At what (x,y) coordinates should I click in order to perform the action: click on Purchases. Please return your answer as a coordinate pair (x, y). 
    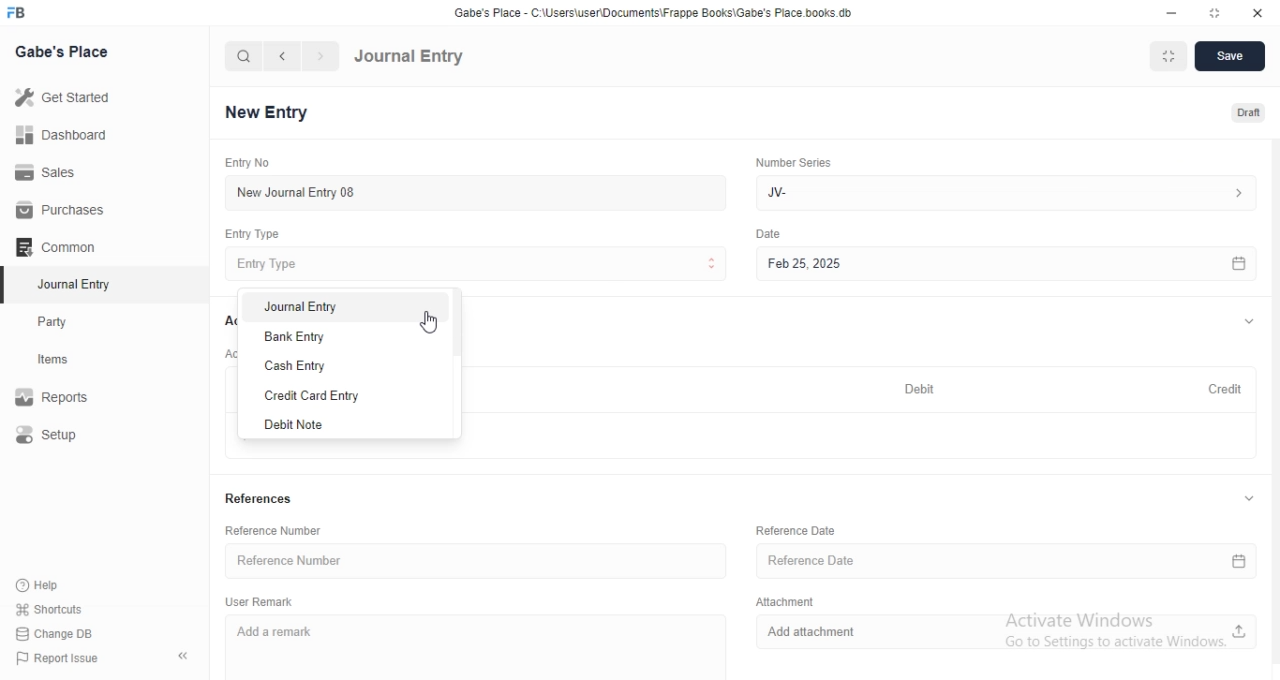
    Looking at the image, I should click on (58, 210).